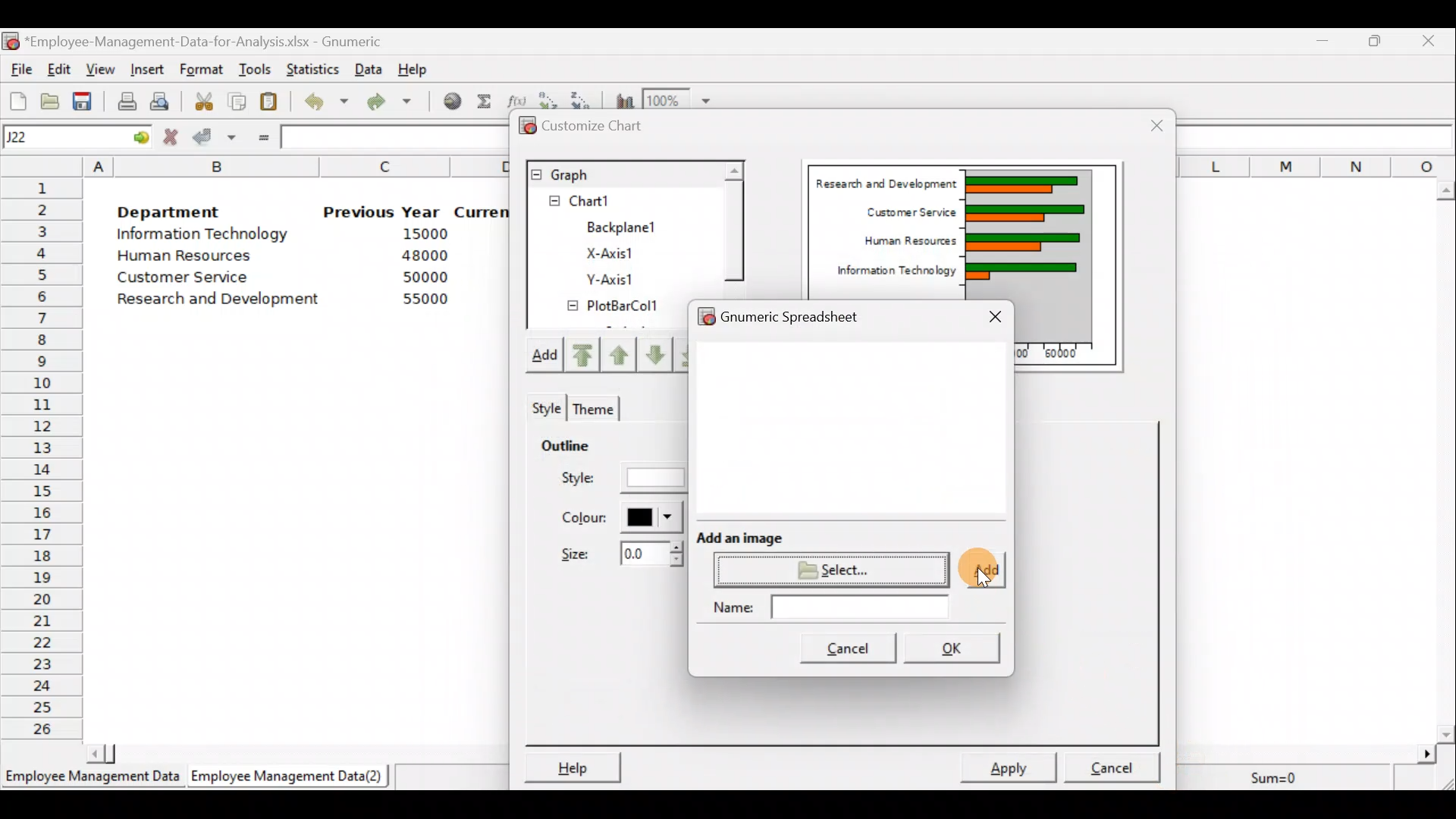 The image size is (1456, 819). What do you see at coordinates (623, 518) in the screenshot?
I see `Color` at bounding box center [623, 518].